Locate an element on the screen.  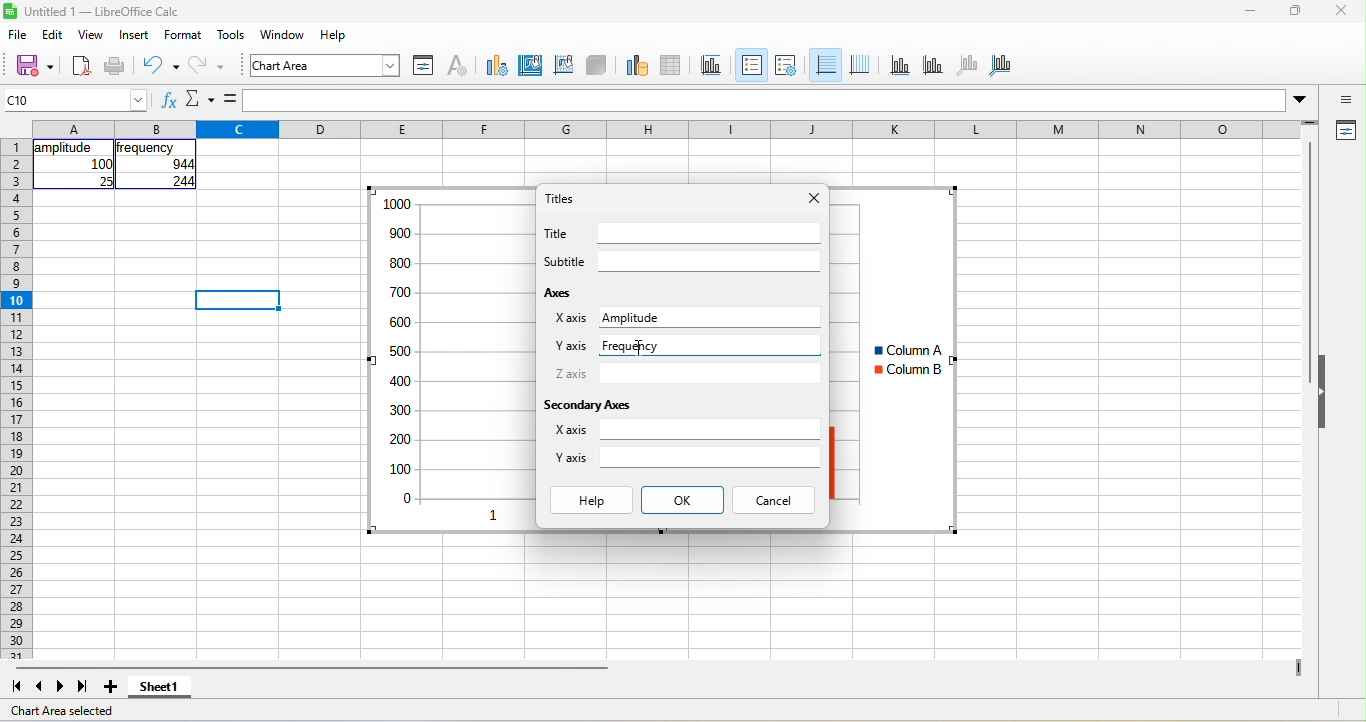
chart wall is located at coordinates (563, 66).